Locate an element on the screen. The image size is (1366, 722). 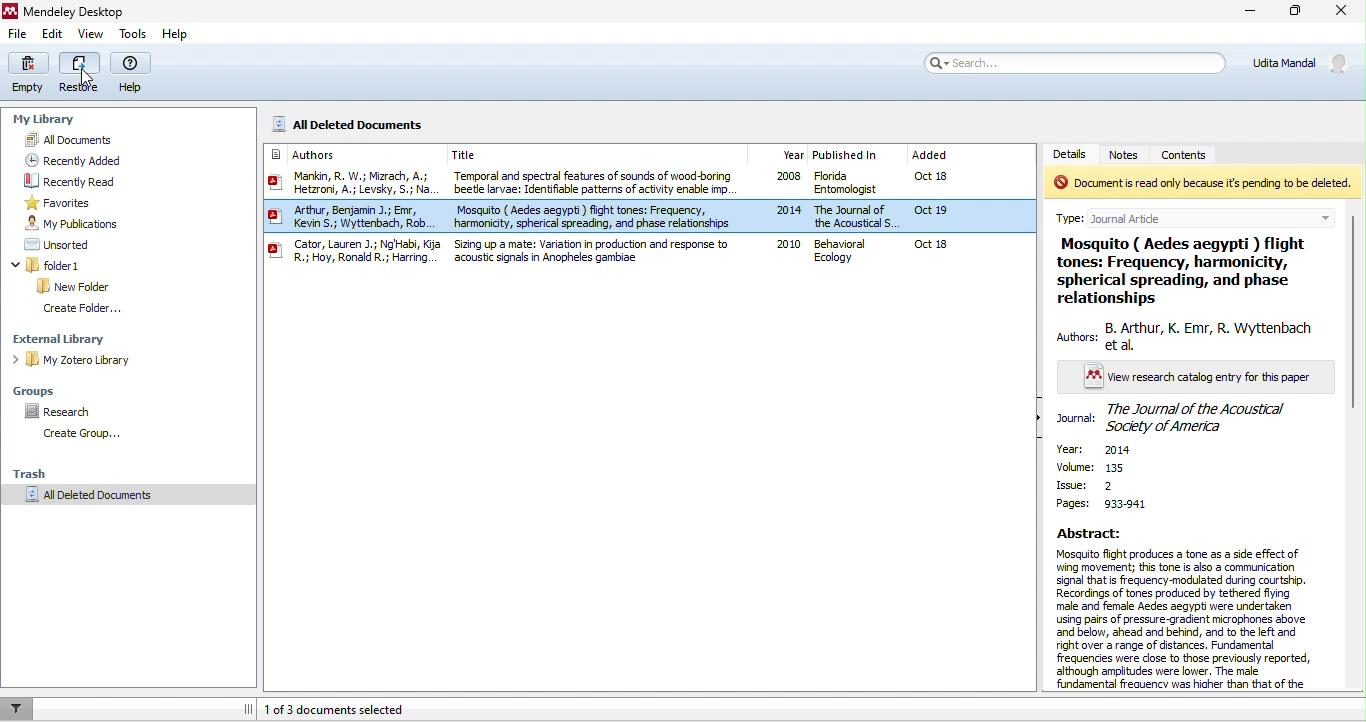
file is located at coordinates (18, 34).